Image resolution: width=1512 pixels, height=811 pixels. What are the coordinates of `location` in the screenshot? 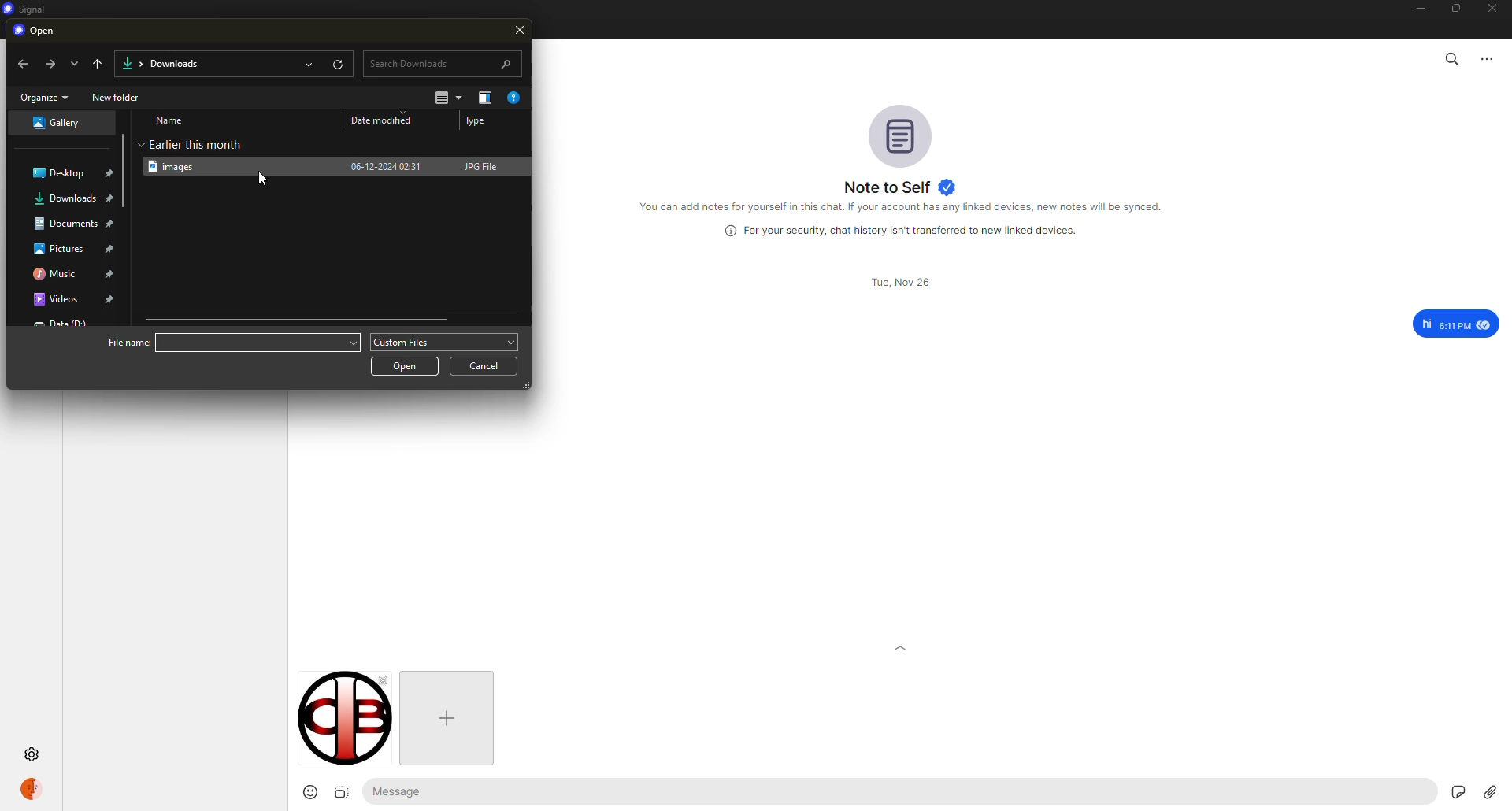 It's located at (58, 249).